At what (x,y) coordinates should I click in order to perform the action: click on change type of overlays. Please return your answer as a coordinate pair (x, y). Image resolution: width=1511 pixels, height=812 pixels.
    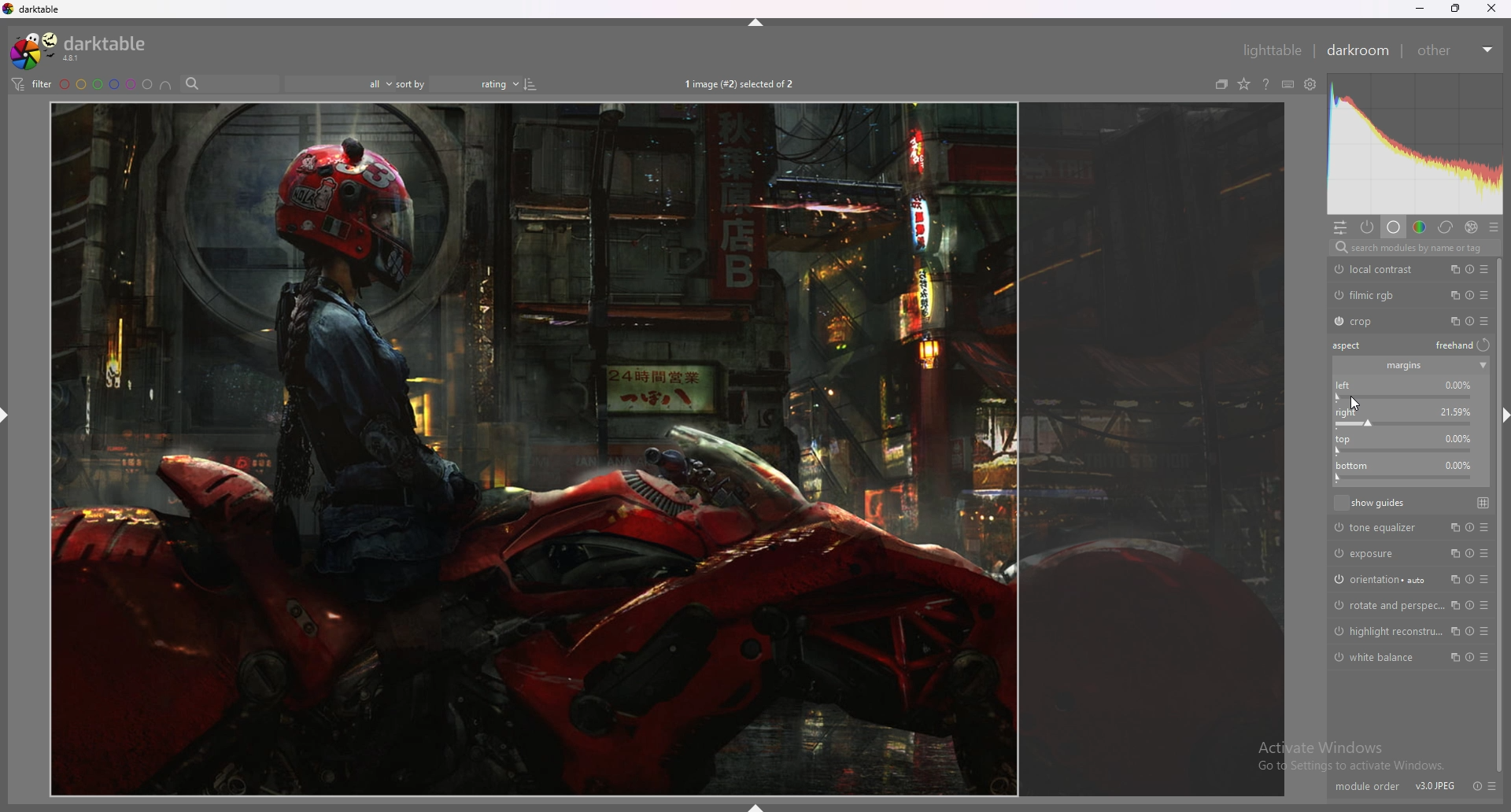
    Looking at the image, I should click on (1243, 84).